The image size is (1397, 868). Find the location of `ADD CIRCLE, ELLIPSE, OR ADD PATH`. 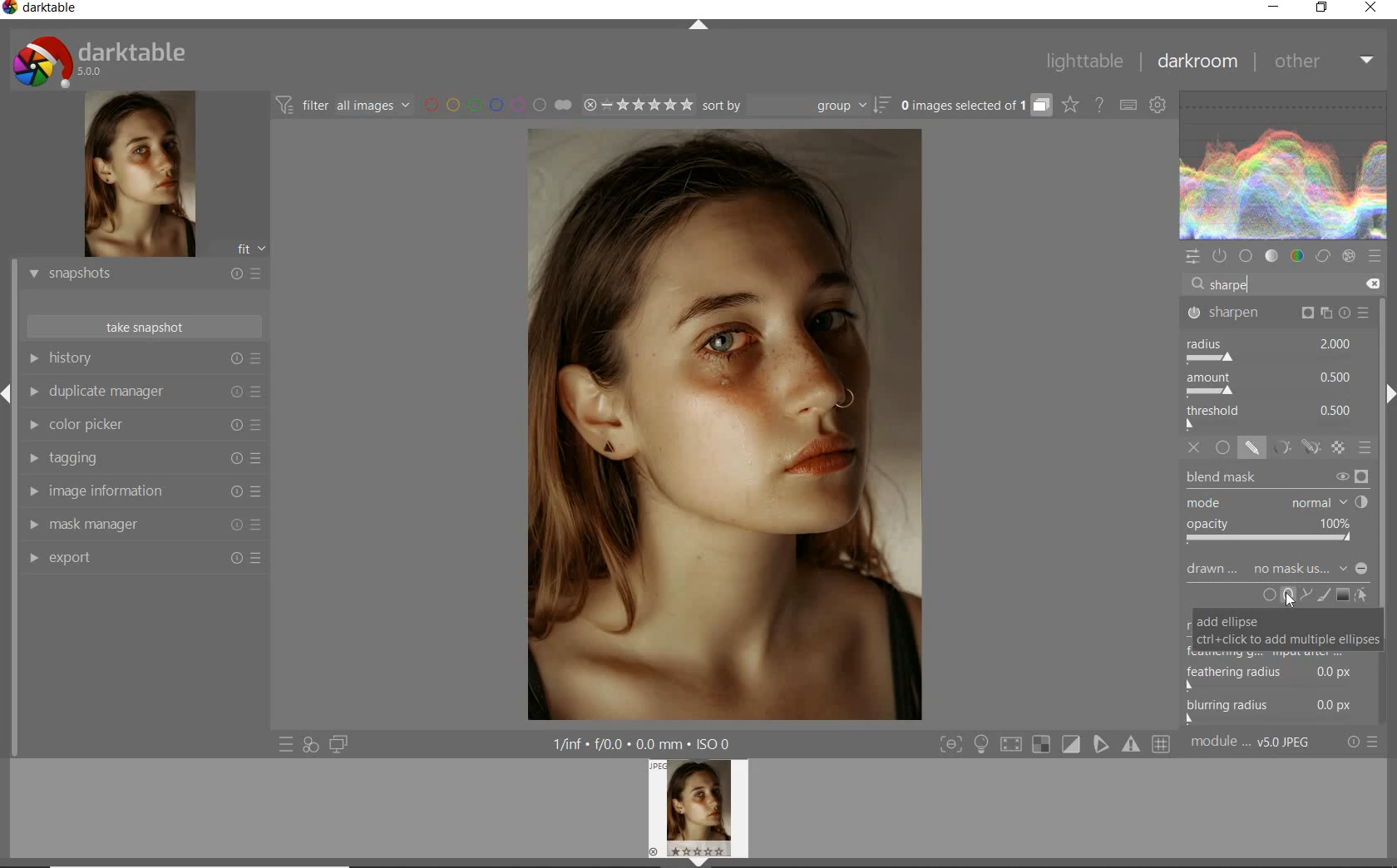

ADD CIRCLE, ELLIPSE, OR ADD PATH is located at coordinates (1286, 594).